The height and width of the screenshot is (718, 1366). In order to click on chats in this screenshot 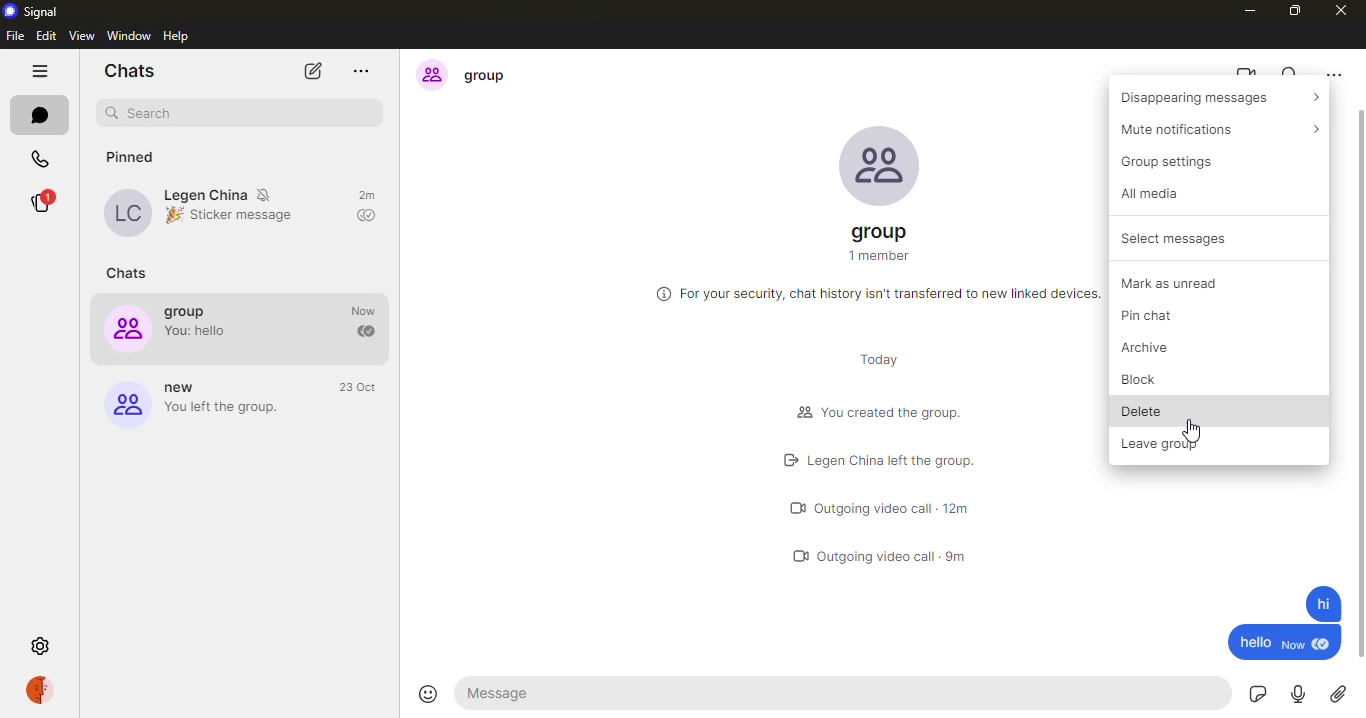, I will do `click(127, 273)`.